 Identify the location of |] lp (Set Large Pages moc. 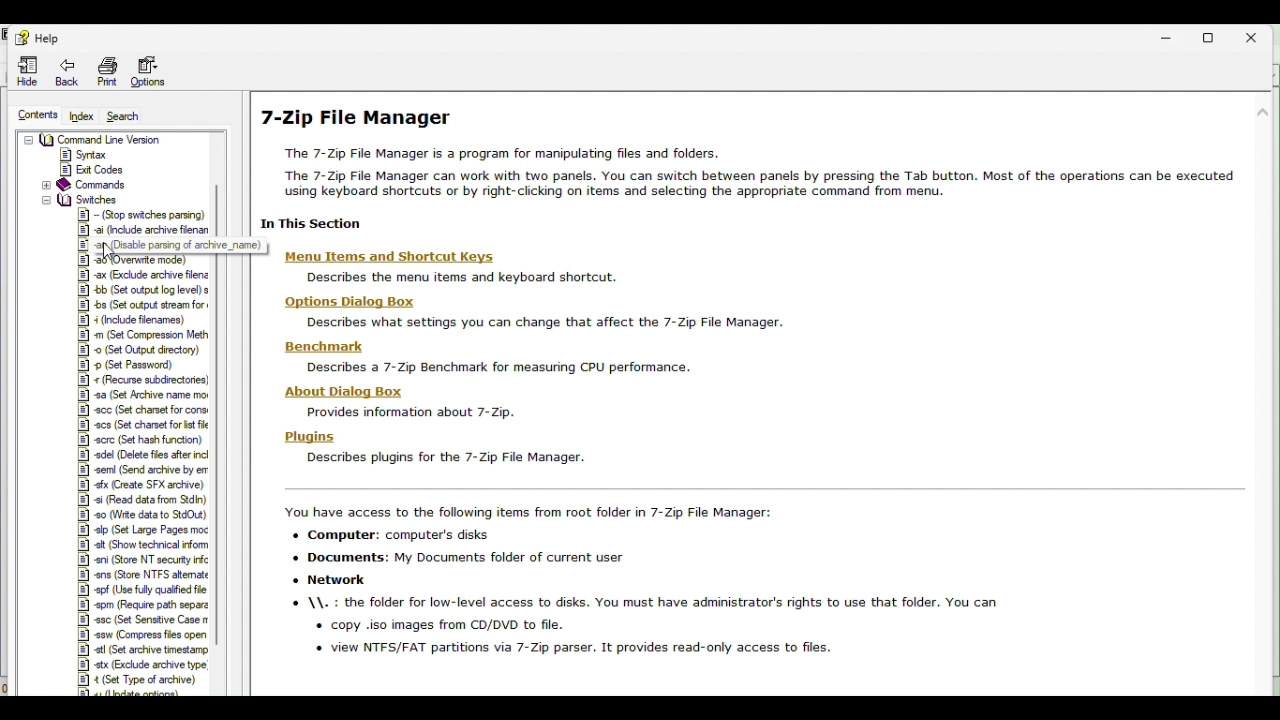
(140, 531).